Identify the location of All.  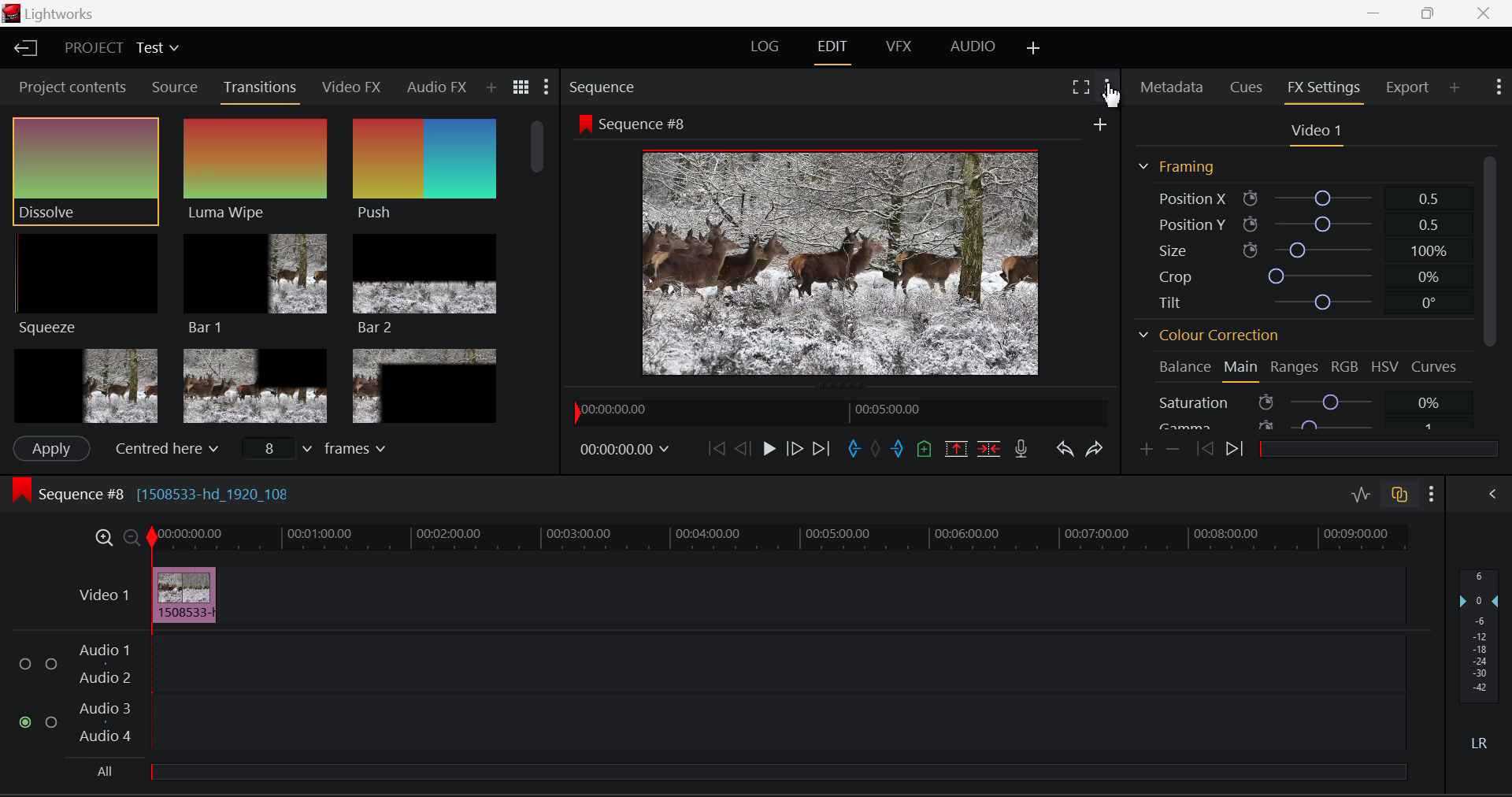
(108, 767).